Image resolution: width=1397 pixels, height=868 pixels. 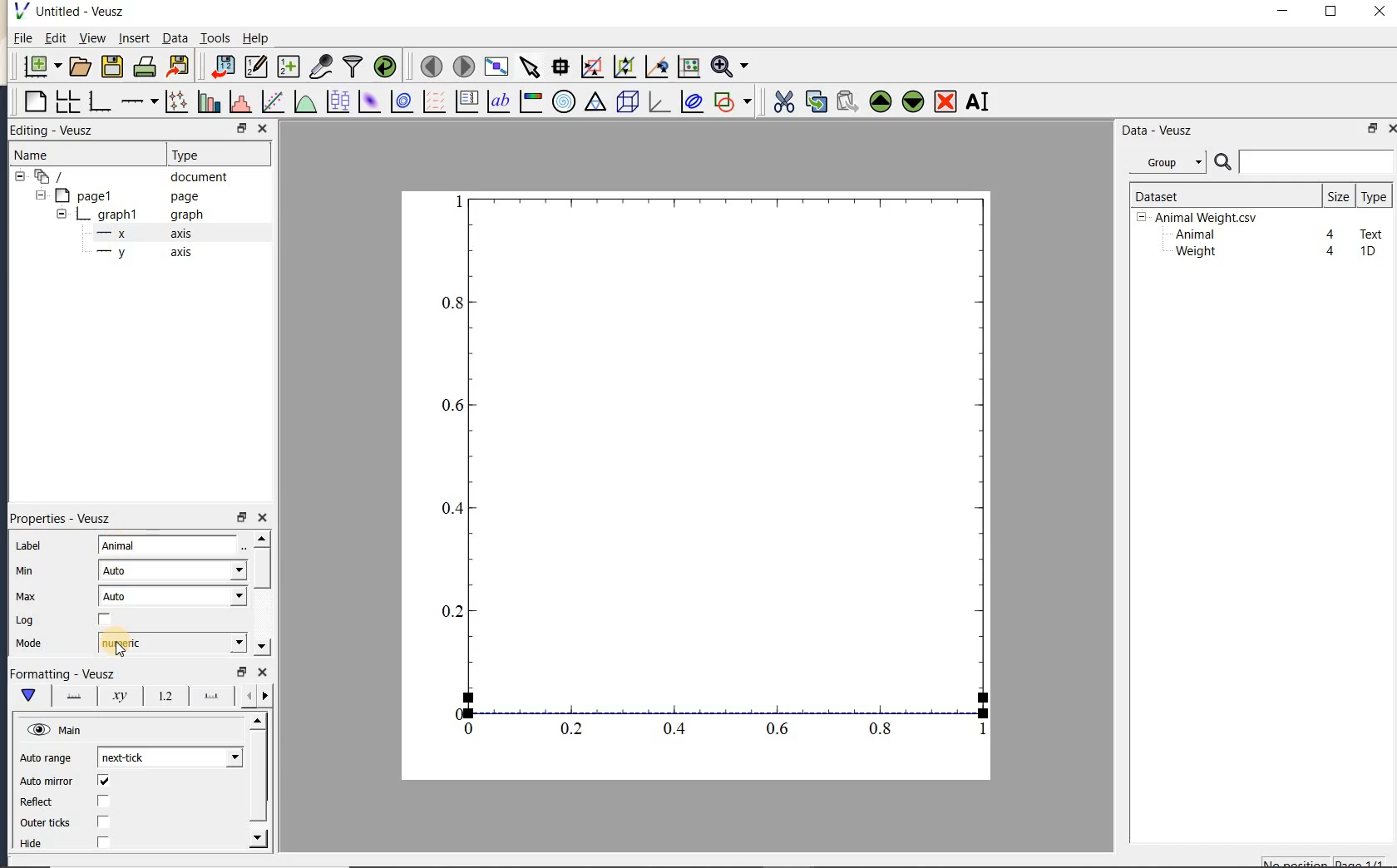 I want to click on RESTORE, so click(x=239, y=126).